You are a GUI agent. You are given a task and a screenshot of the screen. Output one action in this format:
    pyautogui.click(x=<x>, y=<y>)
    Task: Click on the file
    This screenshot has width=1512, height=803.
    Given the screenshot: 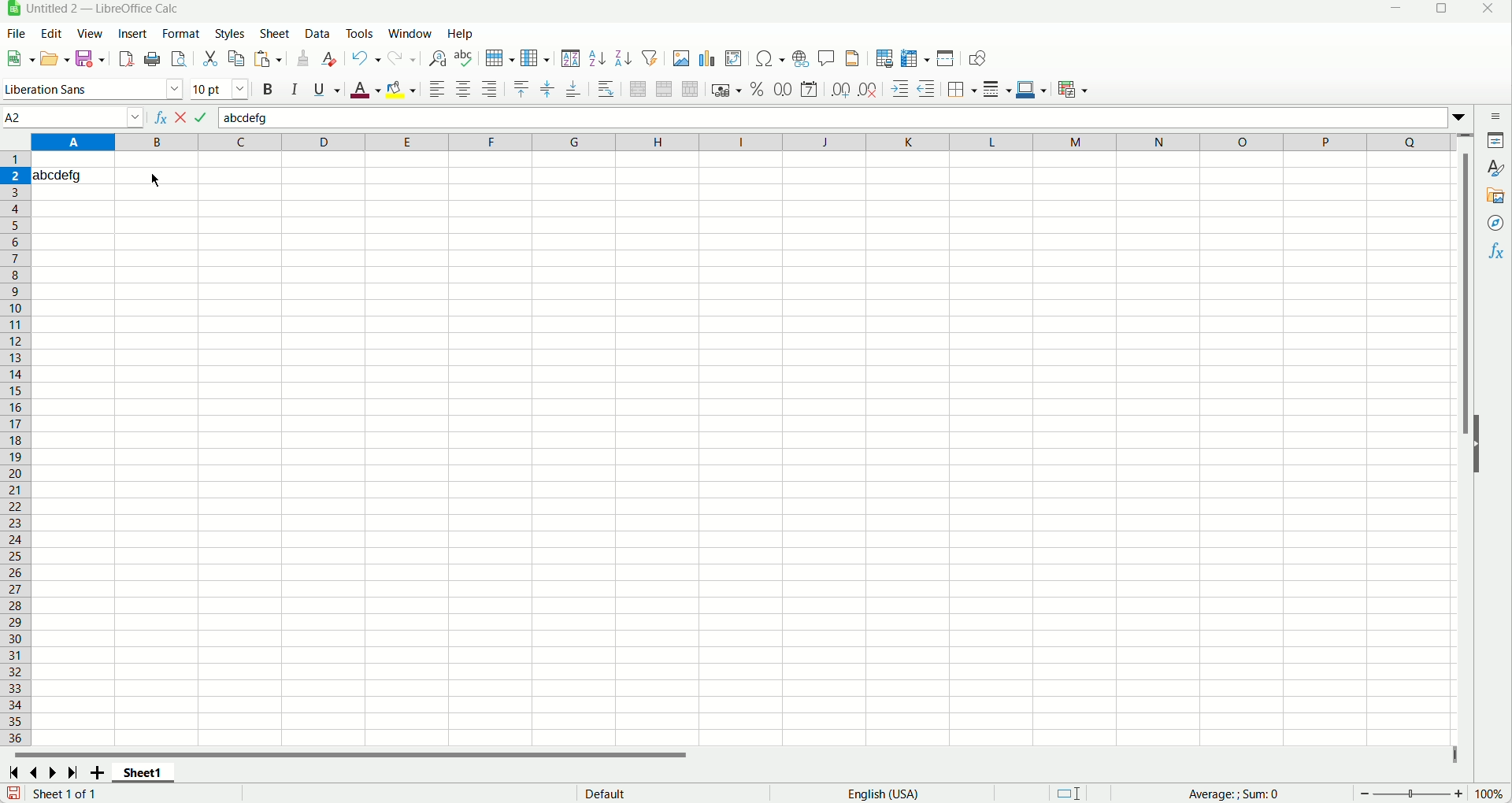 What is the action you would take?
    pyautogui.click(x=15, y=34)
    